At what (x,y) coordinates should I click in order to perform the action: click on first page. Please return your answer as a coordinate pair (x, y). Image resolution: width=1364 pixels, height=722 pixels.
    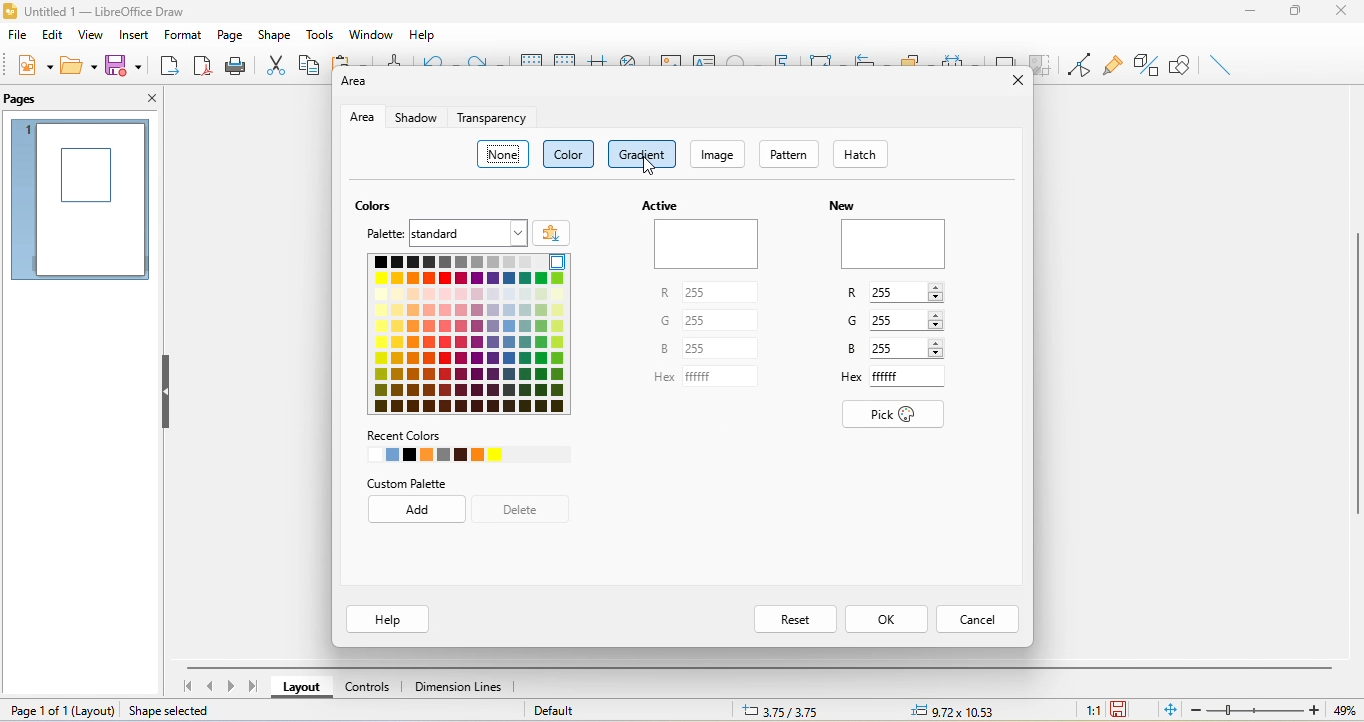
    Looking at the image, I should click on (189, 686).